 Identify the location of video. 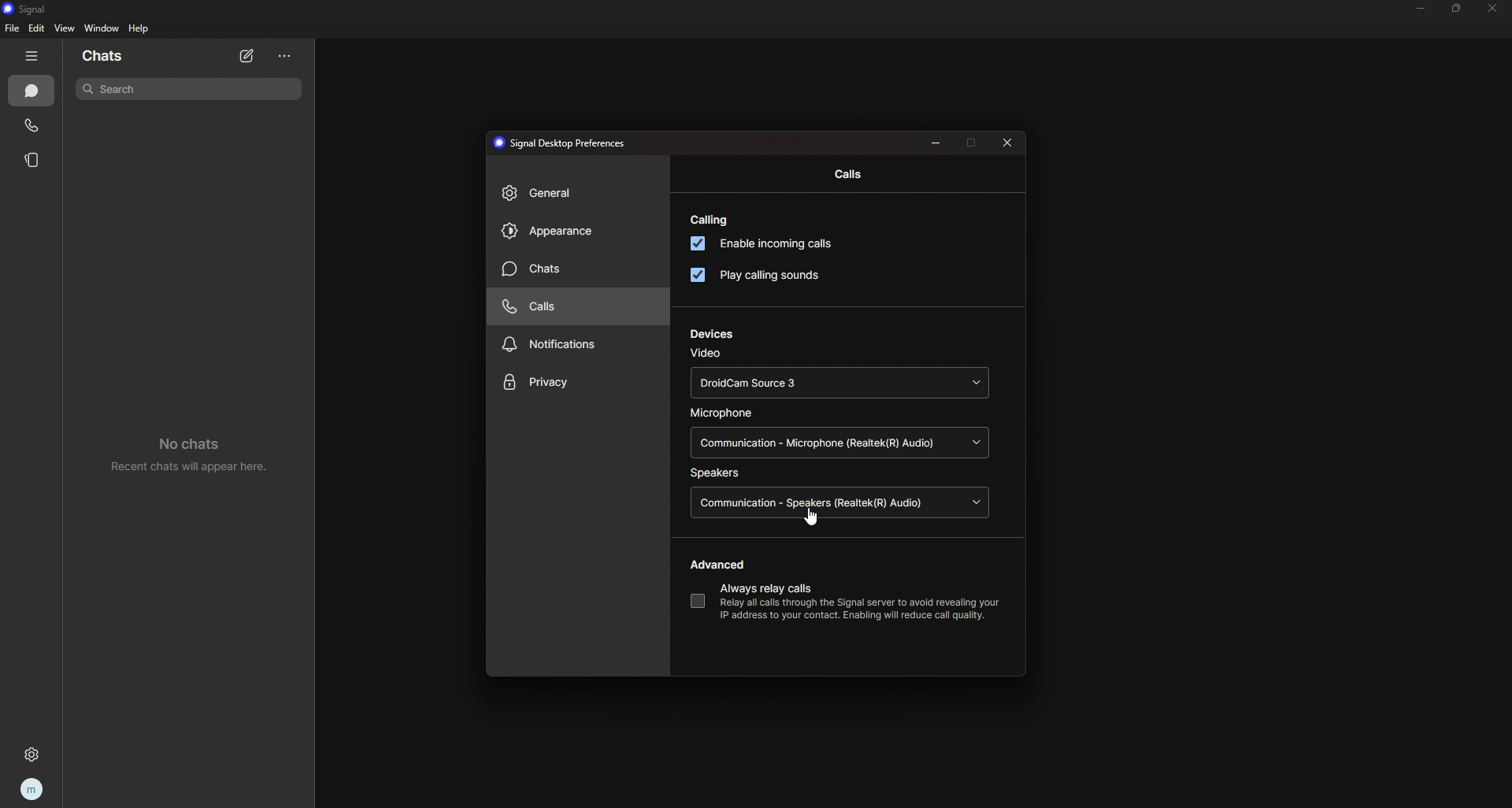
(705, 353).